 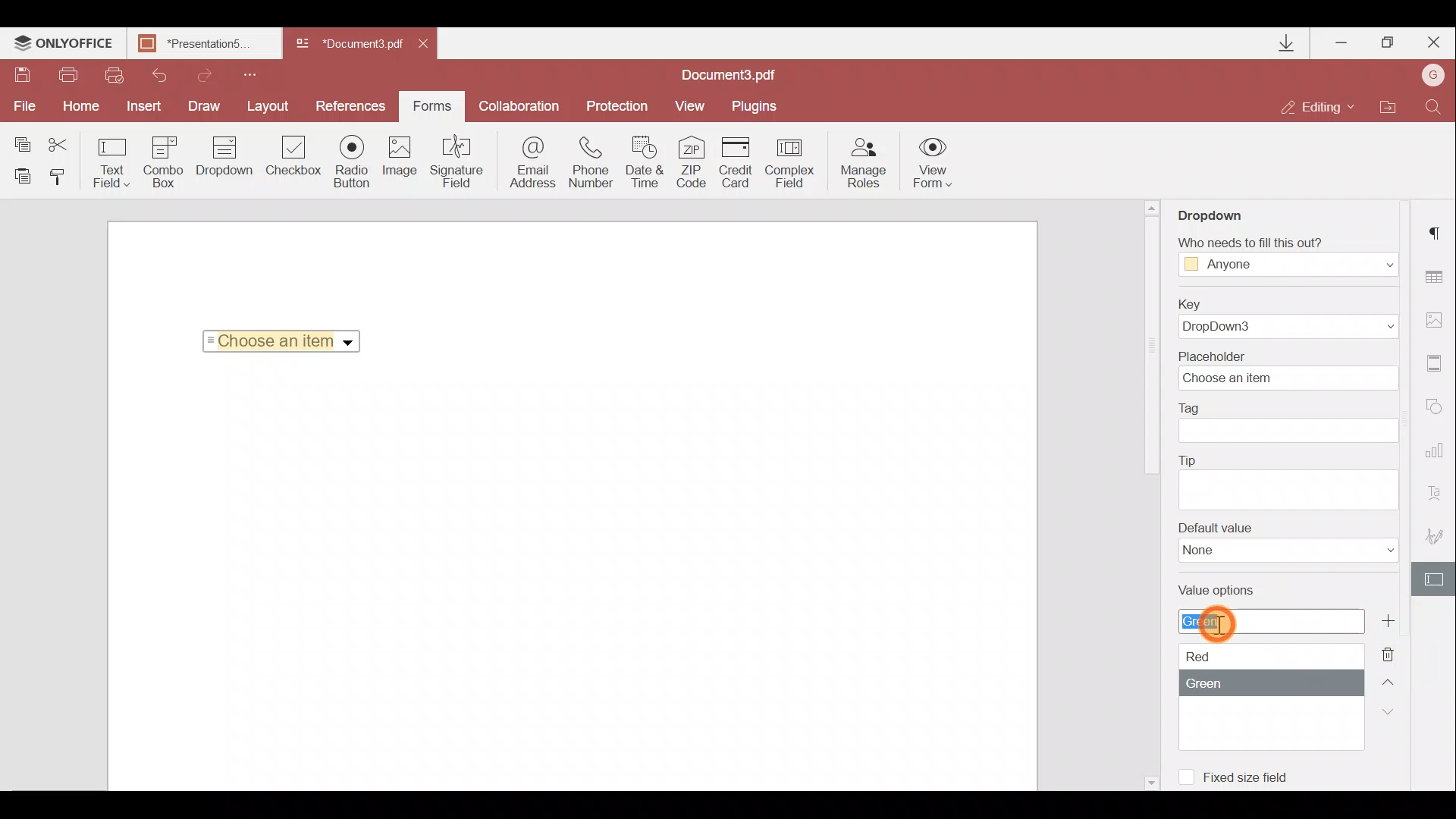 I want to click on Phone number, so click(x=593, y=162).